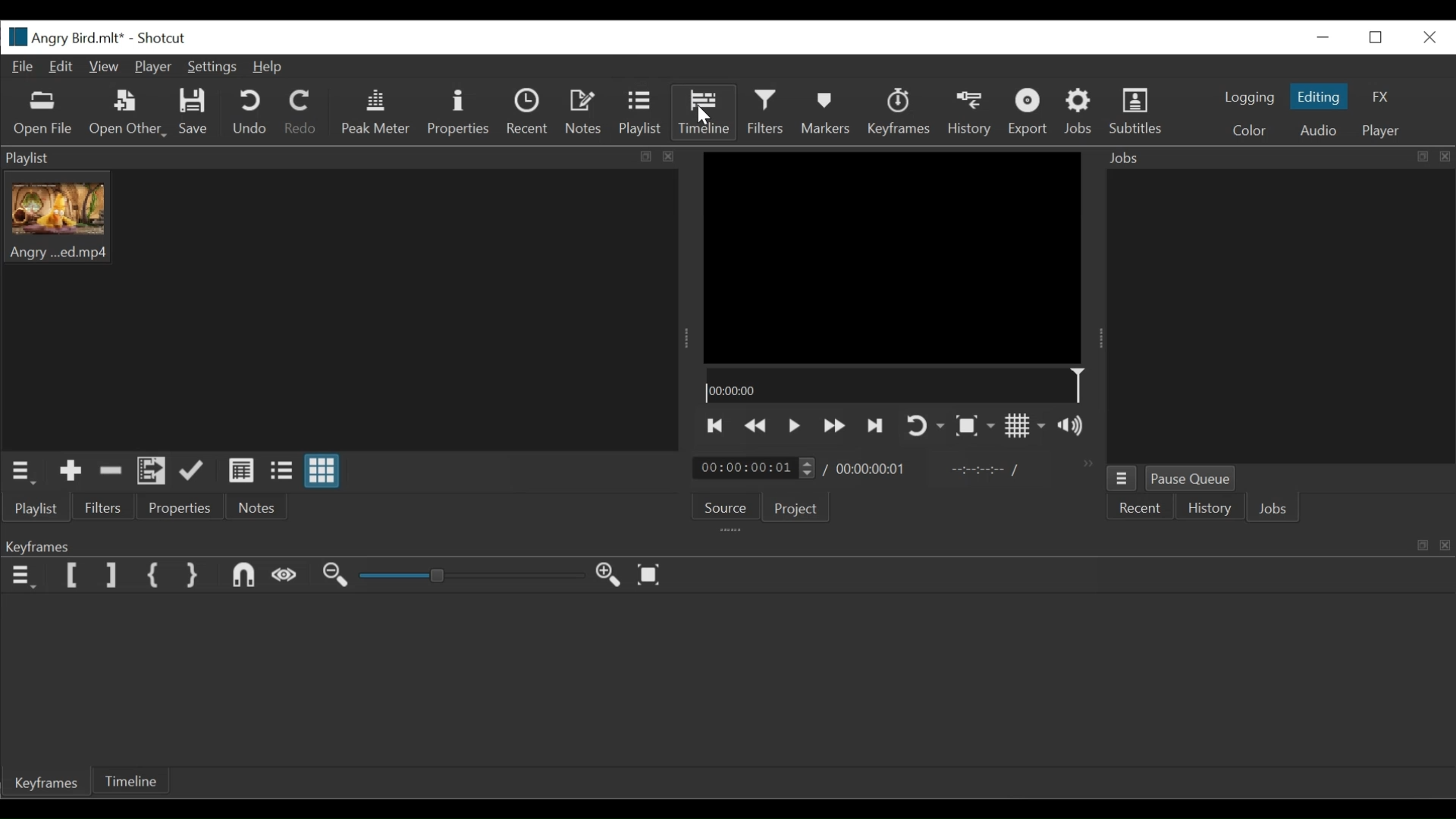 The height and width of the screenshot is (819, 1456). What do you see at coordinates (704, 113) in the screenshot?
I see `Timeline` at bounding box center [704, 113].